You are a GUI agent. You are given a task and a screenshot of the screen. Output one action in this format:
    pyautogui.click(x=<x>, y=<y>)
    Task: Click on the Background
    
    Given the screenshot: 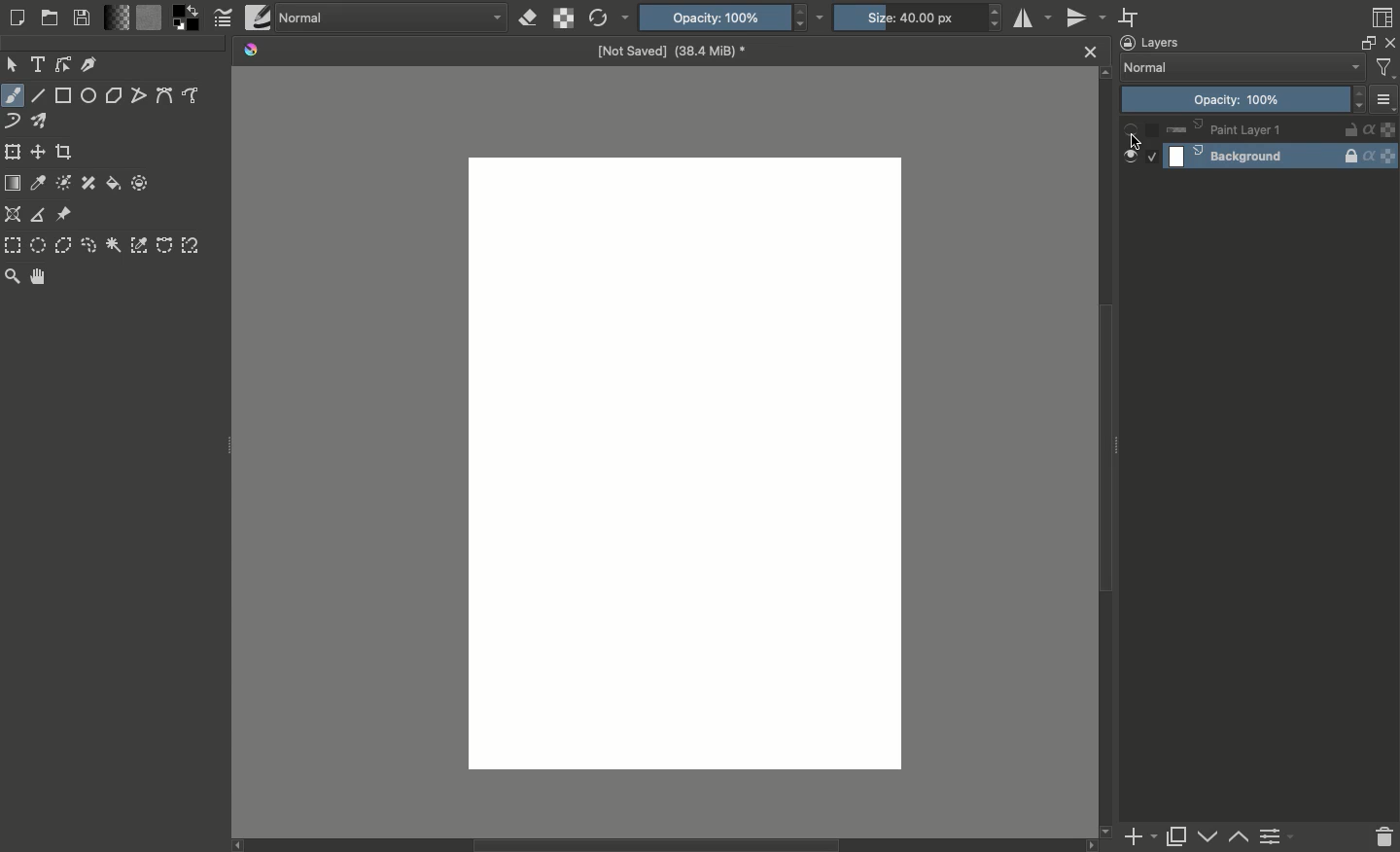 What is the action you would take?
    pyautogui.click(x=1391, y=145)
    